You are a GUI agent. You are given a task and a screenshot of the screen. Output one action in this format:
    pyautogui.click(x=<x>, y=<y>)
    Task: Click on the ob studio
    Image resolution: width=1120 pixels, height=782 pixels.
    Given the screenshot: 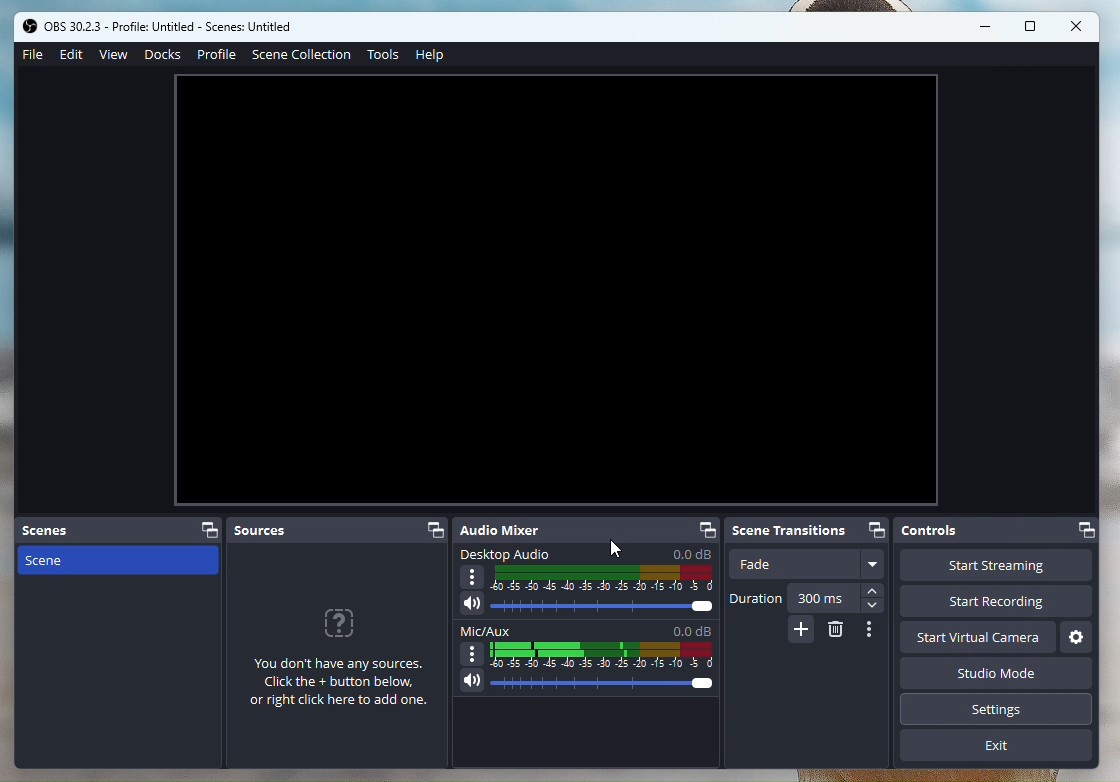 What is the action you would take?
    pyautogui.click(x=171, y=27)
    